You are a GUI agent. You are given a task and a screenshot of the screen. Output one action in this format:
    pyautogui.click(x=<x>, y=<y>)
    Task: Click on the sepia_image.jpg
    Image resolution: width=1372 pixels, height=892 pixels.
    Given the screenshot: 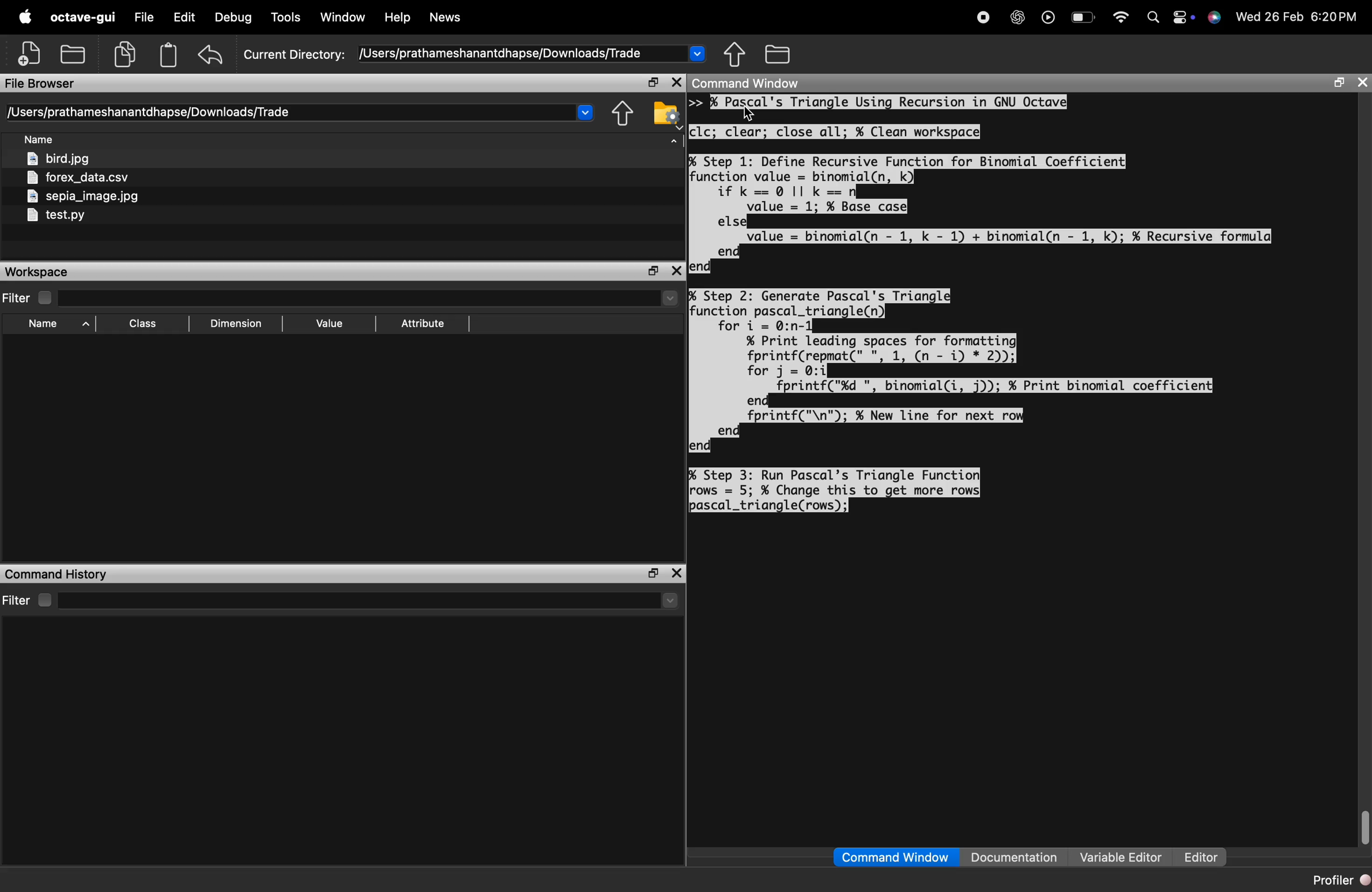 What is the action you would take?
    pyautogui.click(x=84, y=196)
    